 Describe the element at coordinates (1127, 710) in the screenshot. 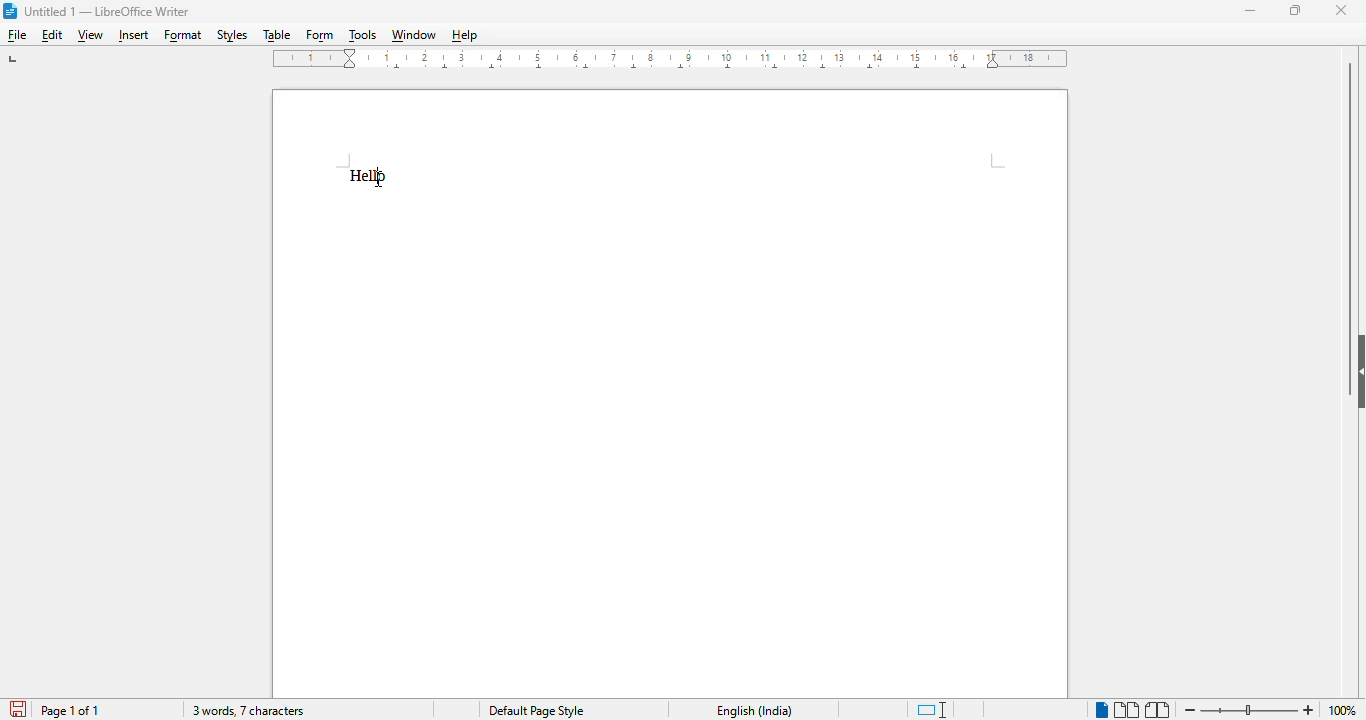

I see `multi-page view` at that location.